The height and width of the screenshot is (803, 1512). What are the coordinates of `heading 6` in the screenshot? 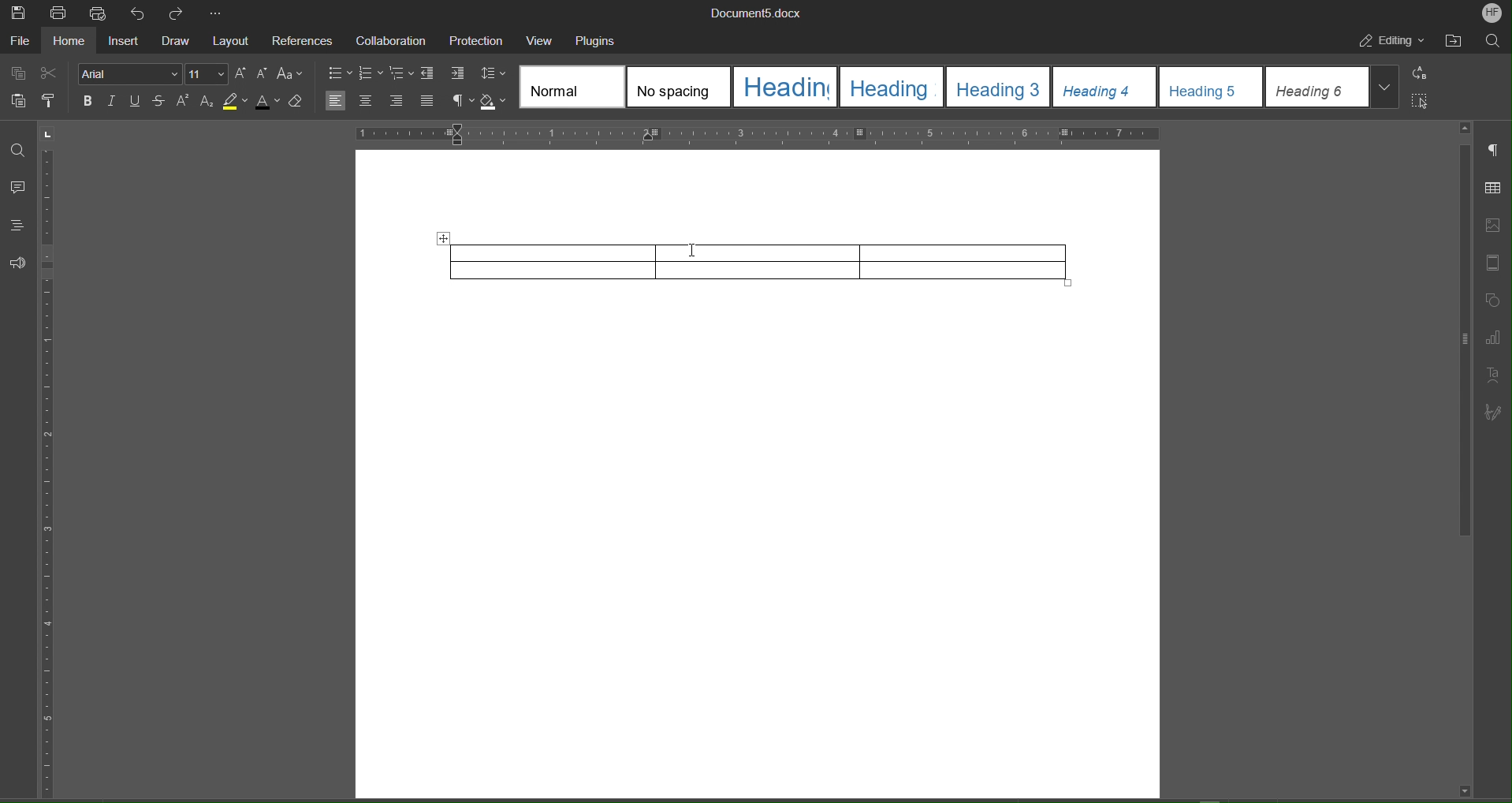 It's located at (1317, 87).